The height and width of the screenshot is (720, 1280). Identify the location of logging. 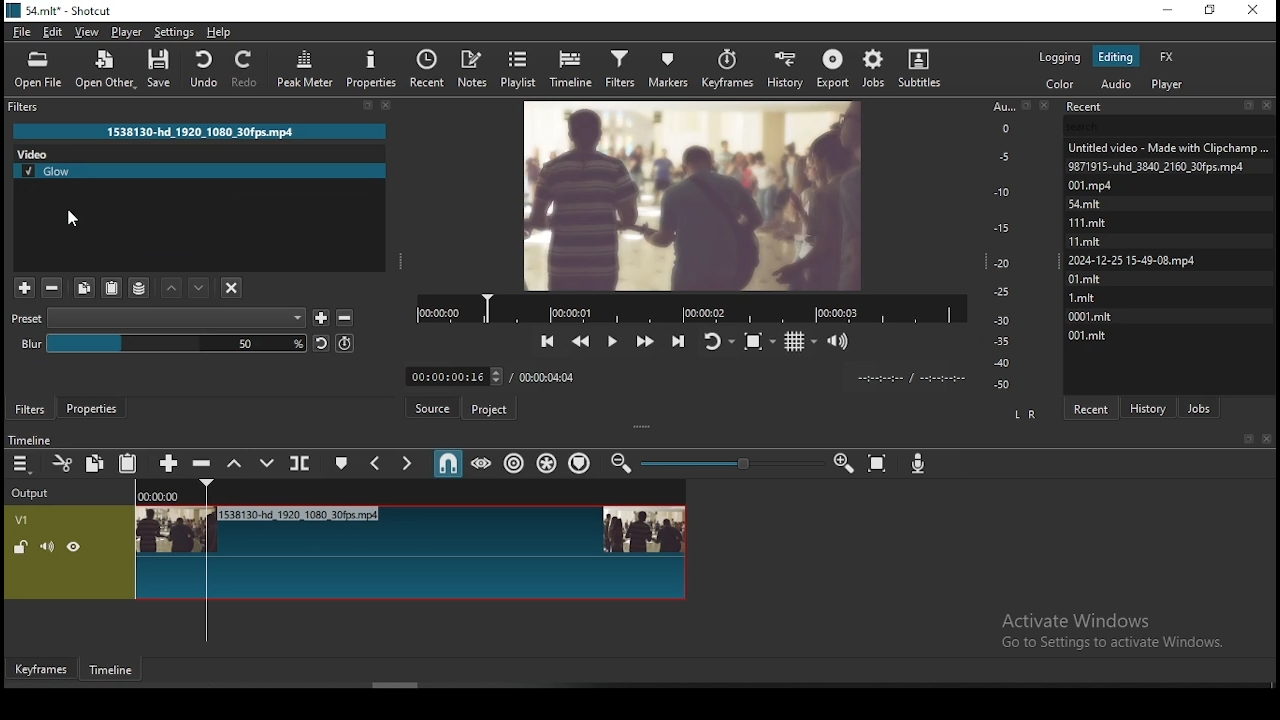
(1062, 55).